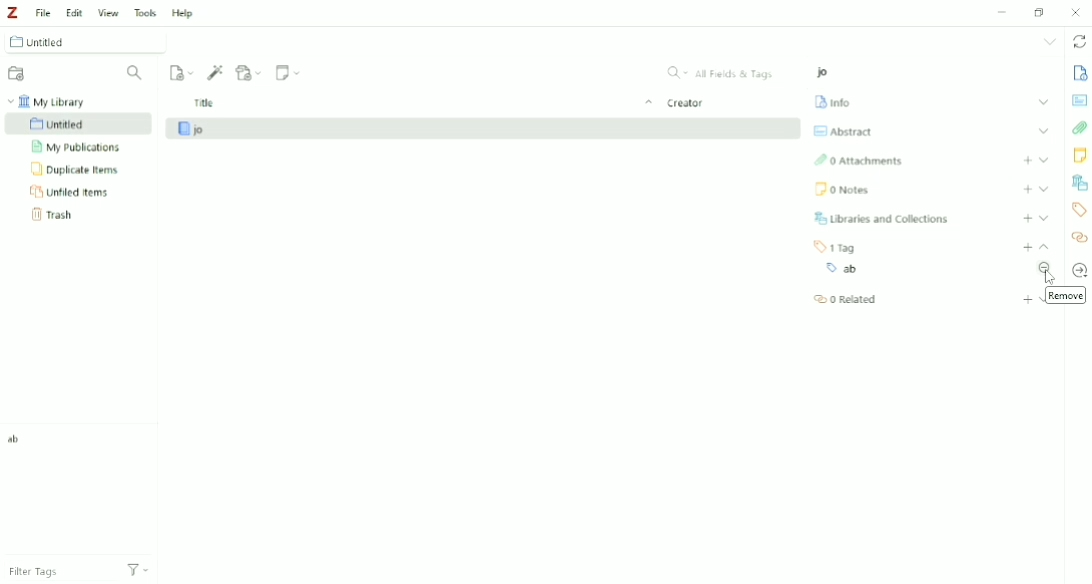 This screenshot has width=1092, height=584. Describe the element at coordinates (184, 13) in the screenshot. I see `Help` at that location.